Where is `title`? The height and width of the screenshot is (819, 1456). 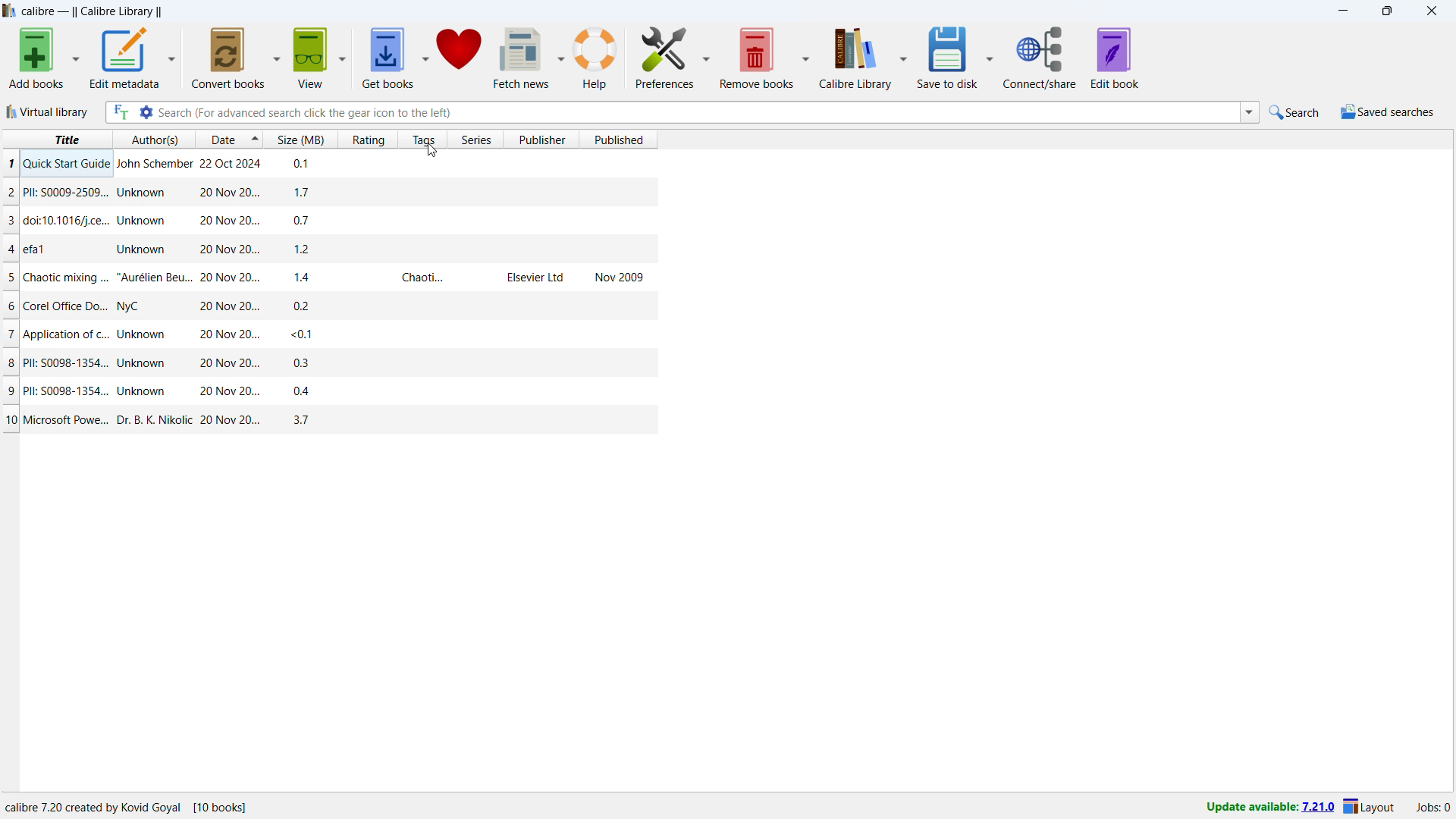 title is located at coordinates (93, 11).